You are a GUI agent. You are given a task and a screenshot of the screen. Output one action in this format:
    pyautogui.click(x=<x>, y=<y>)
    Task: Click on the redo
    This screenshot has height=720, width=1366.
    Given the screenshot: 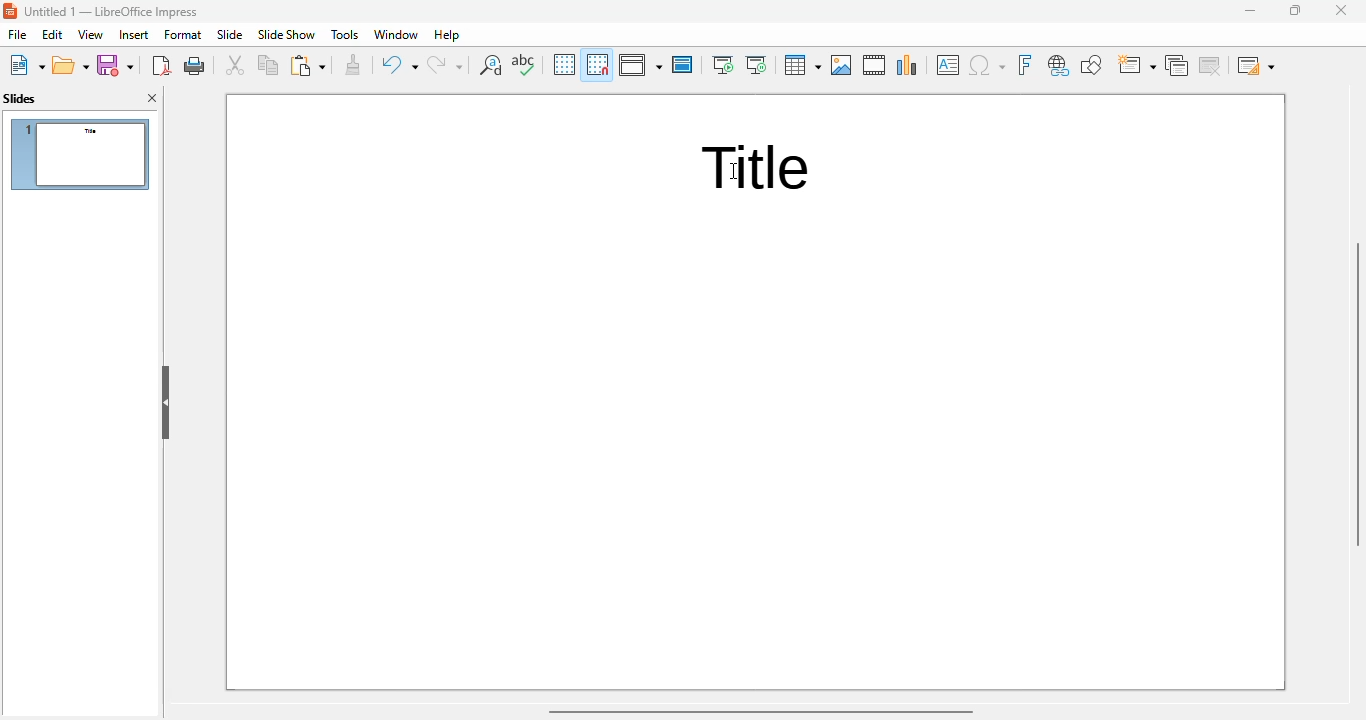 What is the action you would take?
    pyautogui.click(x=445, y=64)
    